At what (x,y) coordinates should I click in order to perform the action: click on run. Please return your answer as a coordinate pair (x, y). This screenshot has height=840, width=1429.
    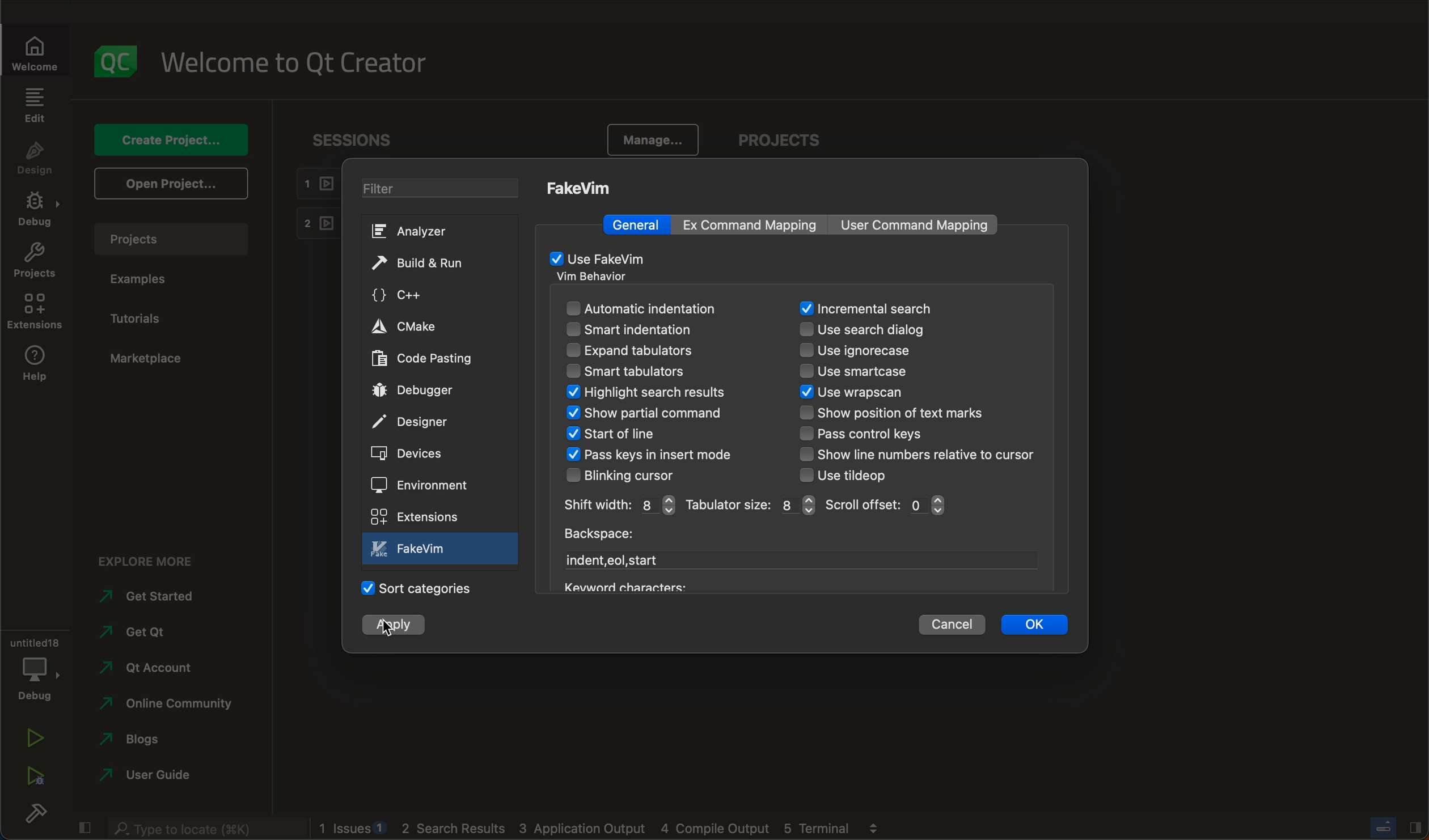
    Looking at the image, I should click on (33, 737).